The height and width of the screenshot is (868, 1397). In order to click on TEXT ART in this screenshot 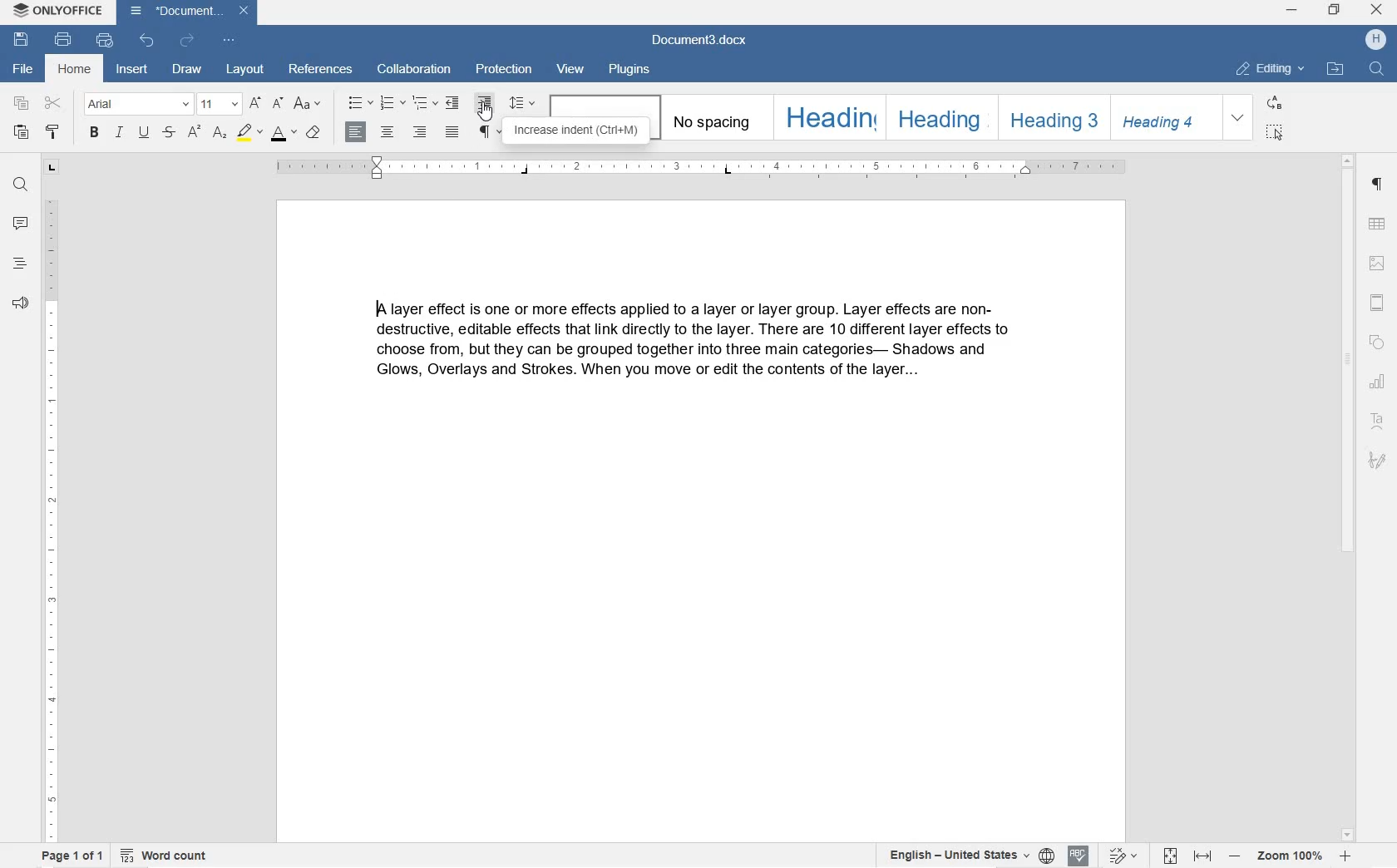, I will do `click(1379, 418)`.